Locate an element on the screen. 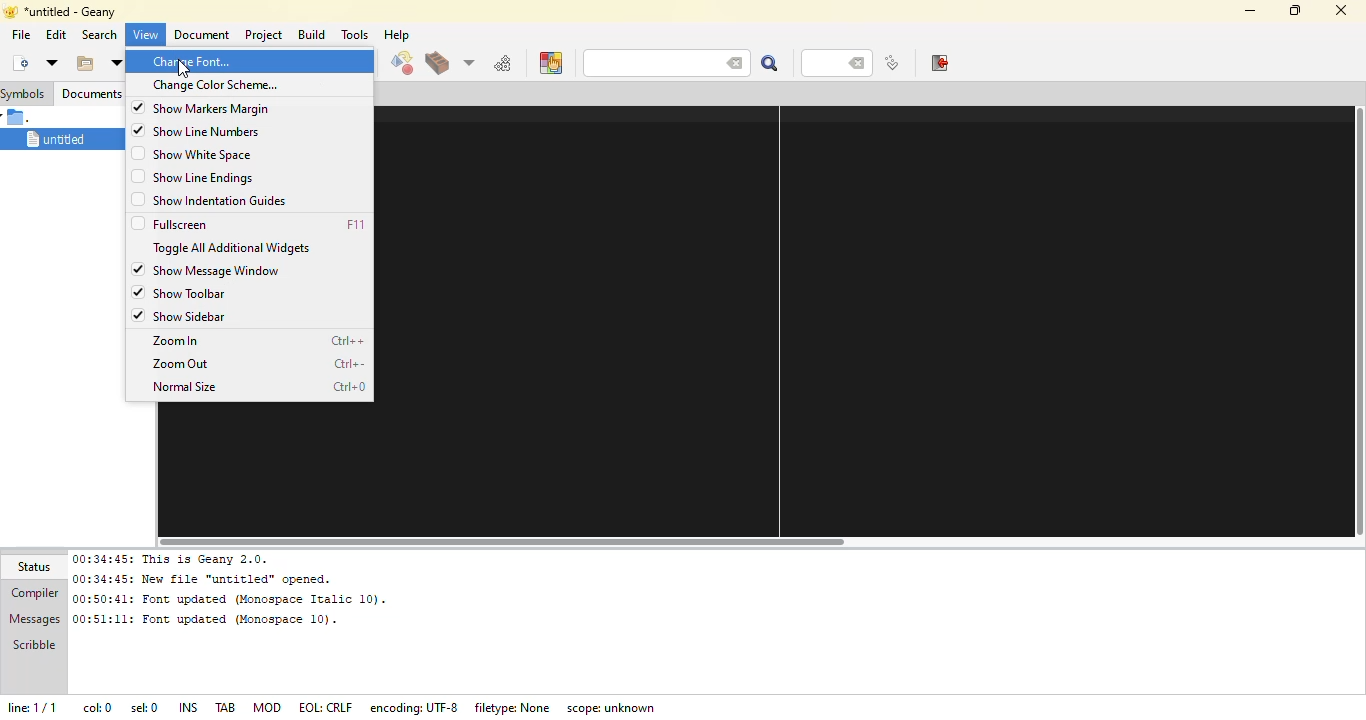  encoding: UTF- 8 is located at coordinates (417, 707).